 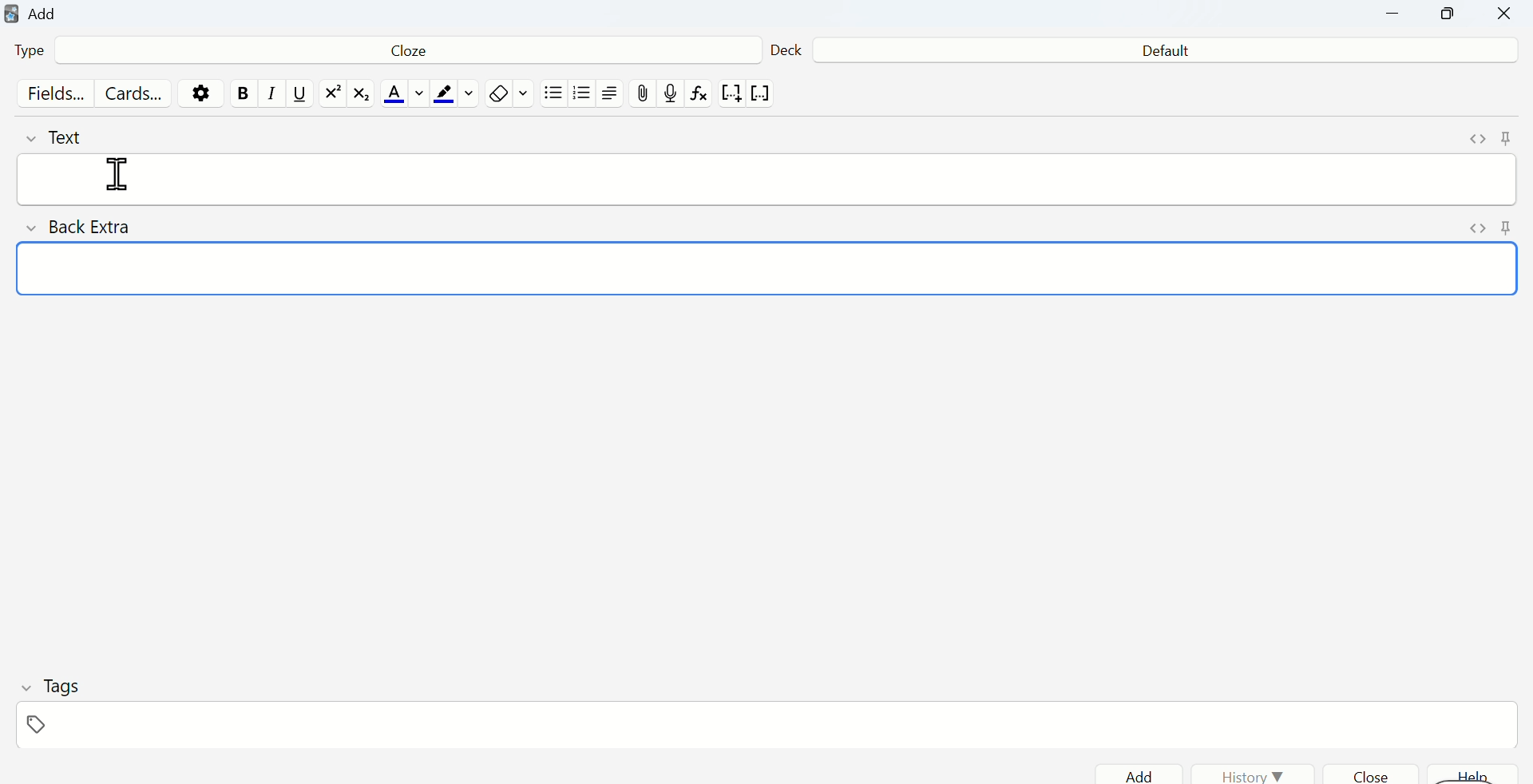 I want to click on Minimize, so click(x=1395, y=15).